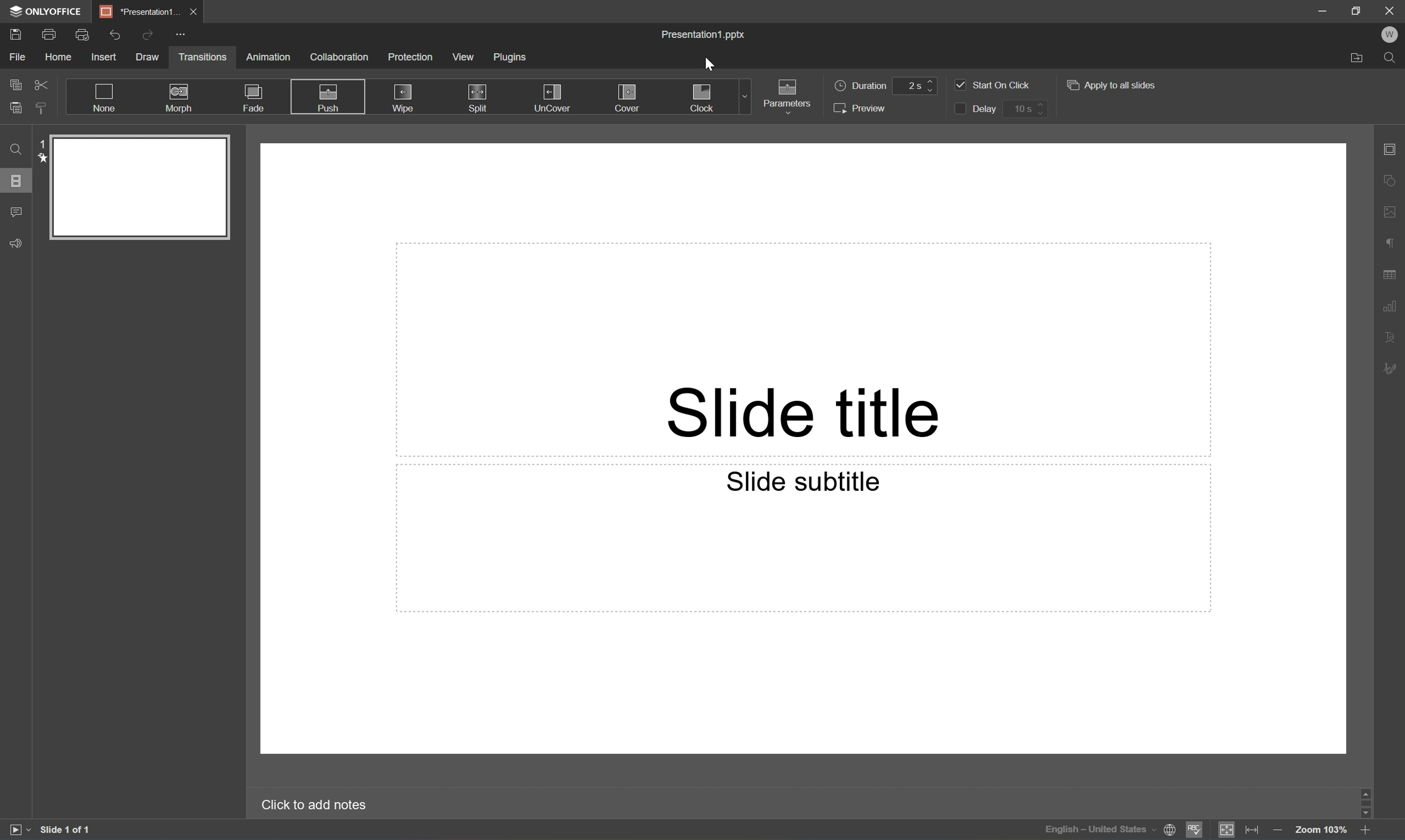  What do you see at coordinates (1394, 339) in the screenshot?
I see `Text art settings` at bounding box center [1394, 339].